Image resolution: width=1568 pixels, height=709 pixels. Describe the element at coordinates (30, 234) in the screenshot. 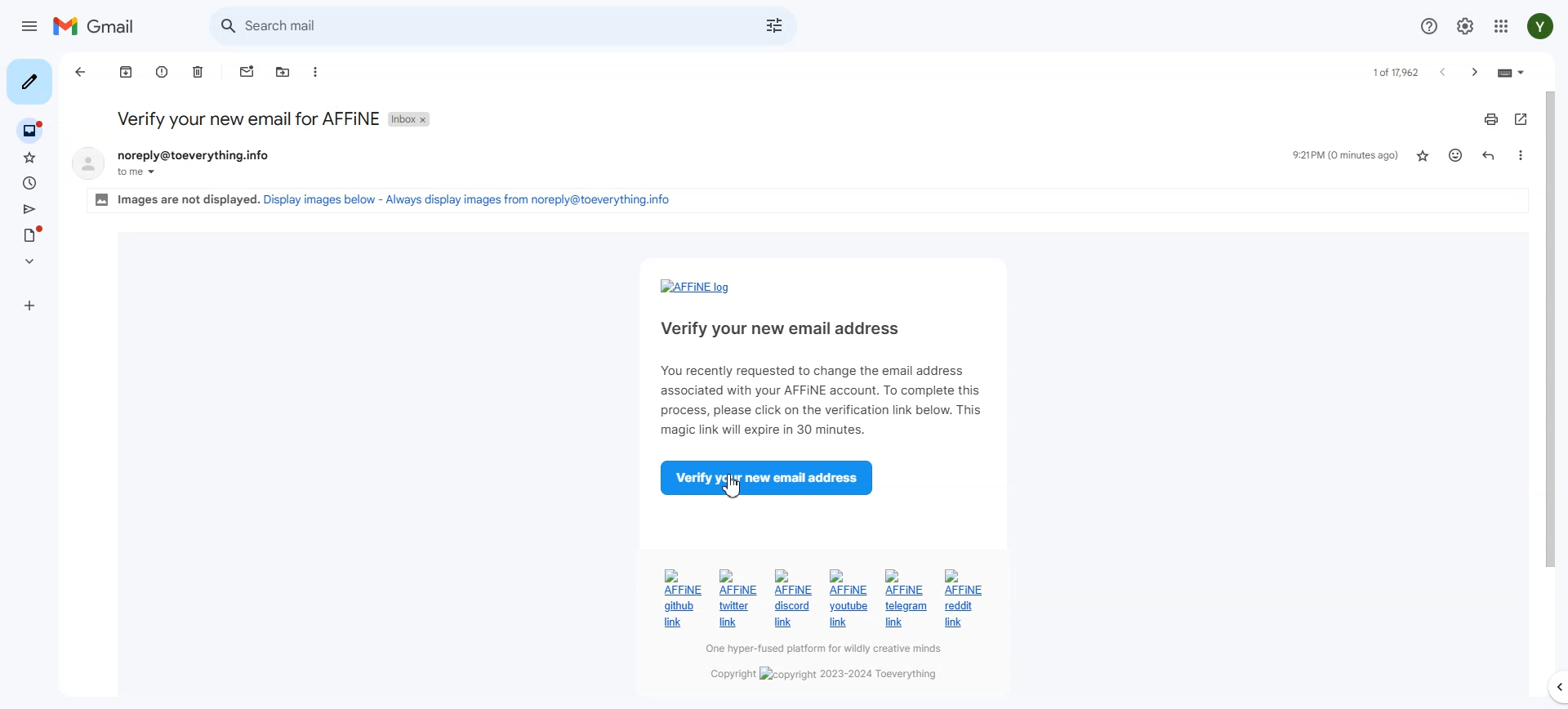

I see `Draft` at that location.